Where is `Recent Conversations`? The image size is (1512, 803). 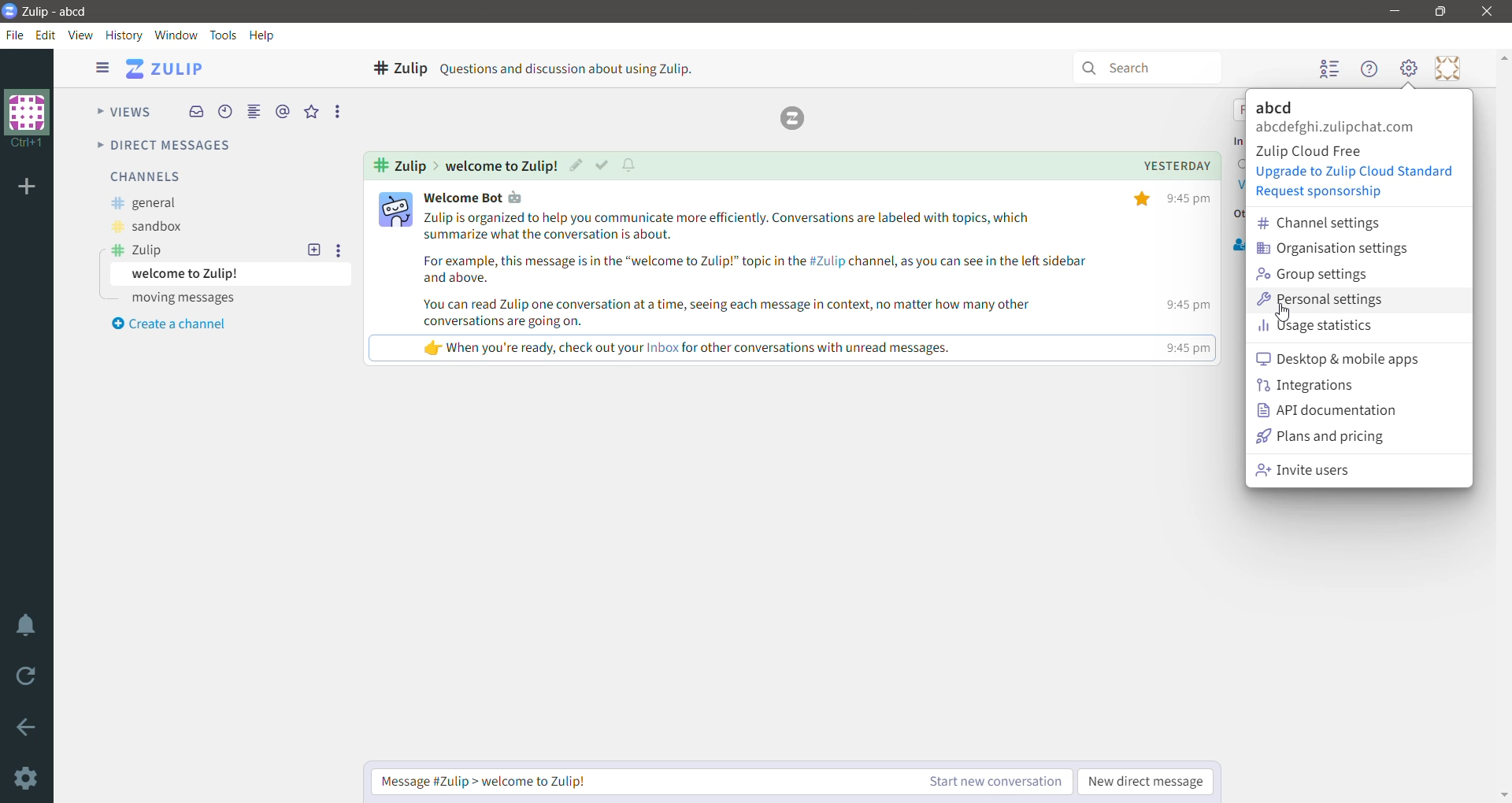
Recent Conversations is located at coordinates (224, 111).